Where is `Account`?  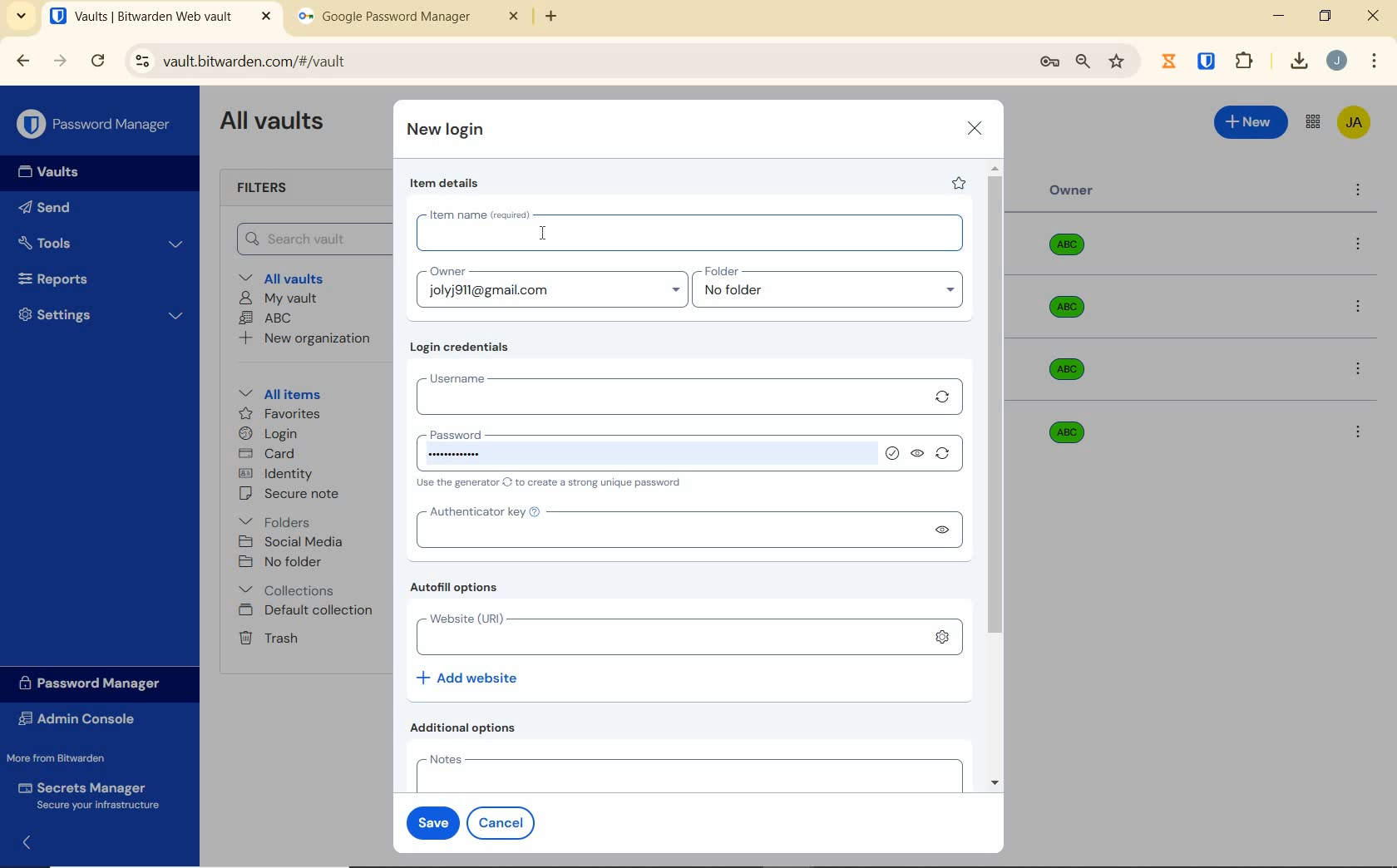 Account is located at coordinates (1336, 61).